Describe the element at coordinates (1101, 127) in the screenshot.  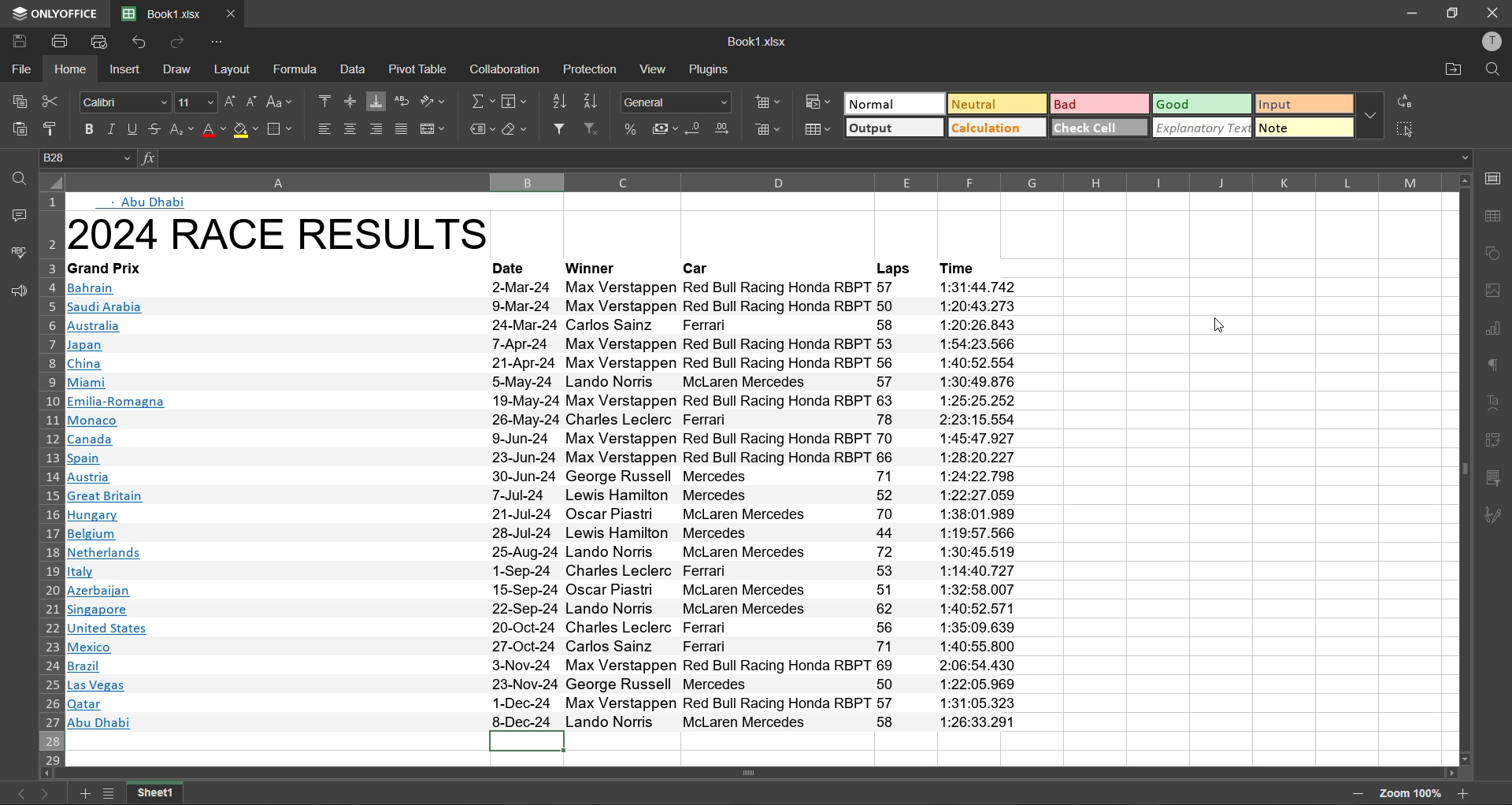
I see `check cell` at that location.